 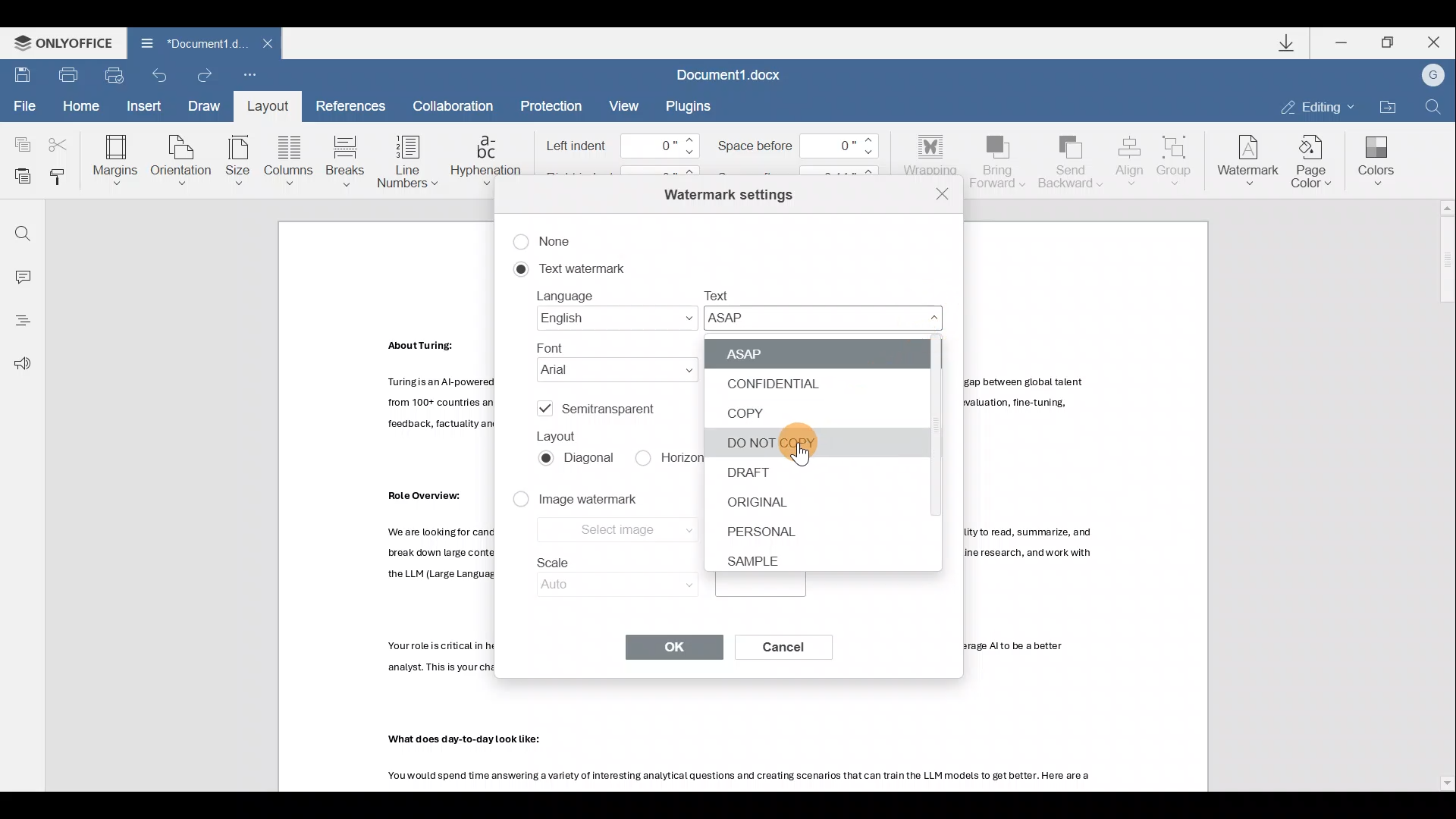 I want to click on COPY, so click(x=802, y=412).